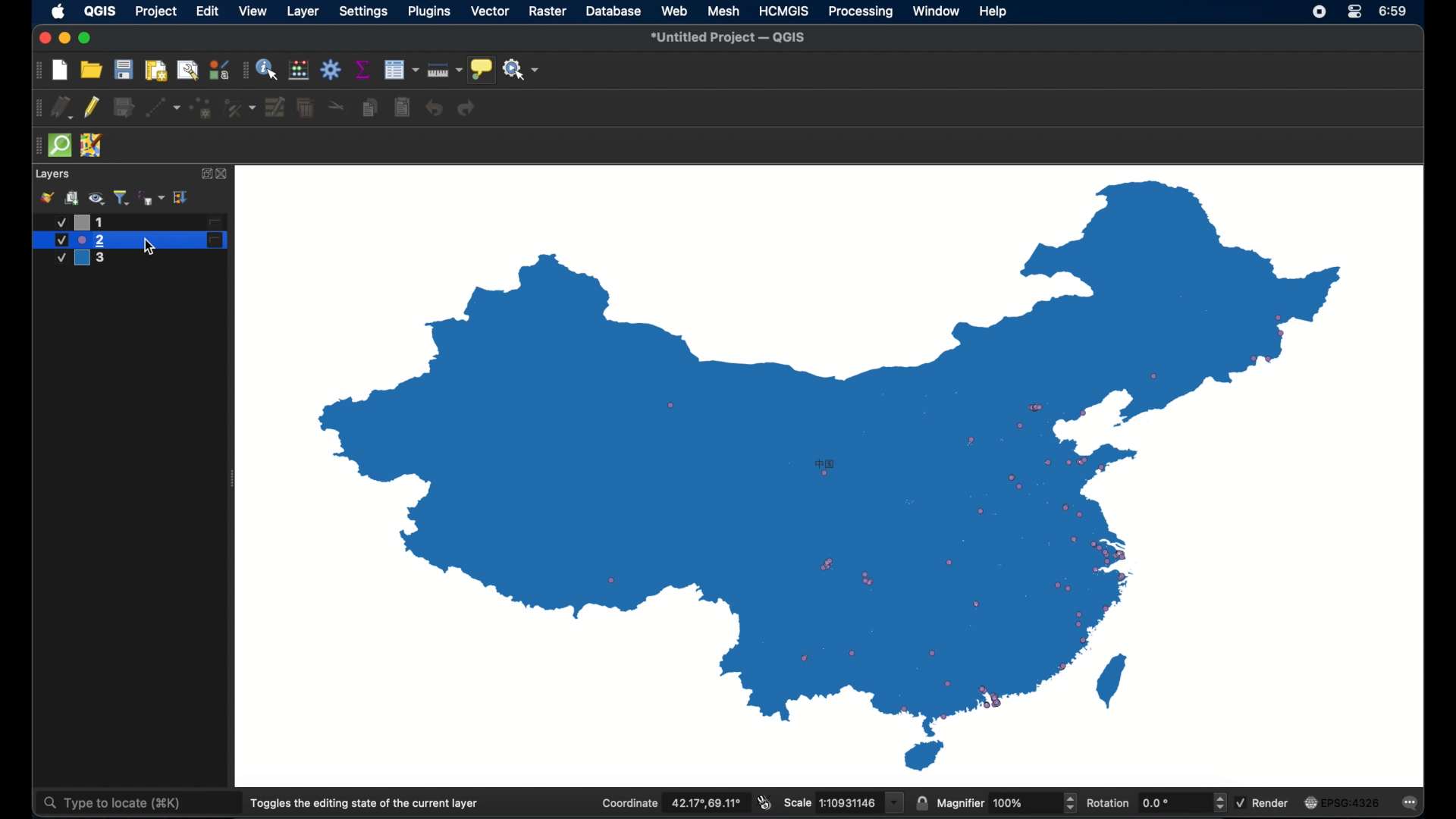 The width and height of the screenshot is (1456, 819). Describe the element at coordinates (363, 12) in the screenshot. I see `settings` at that location.